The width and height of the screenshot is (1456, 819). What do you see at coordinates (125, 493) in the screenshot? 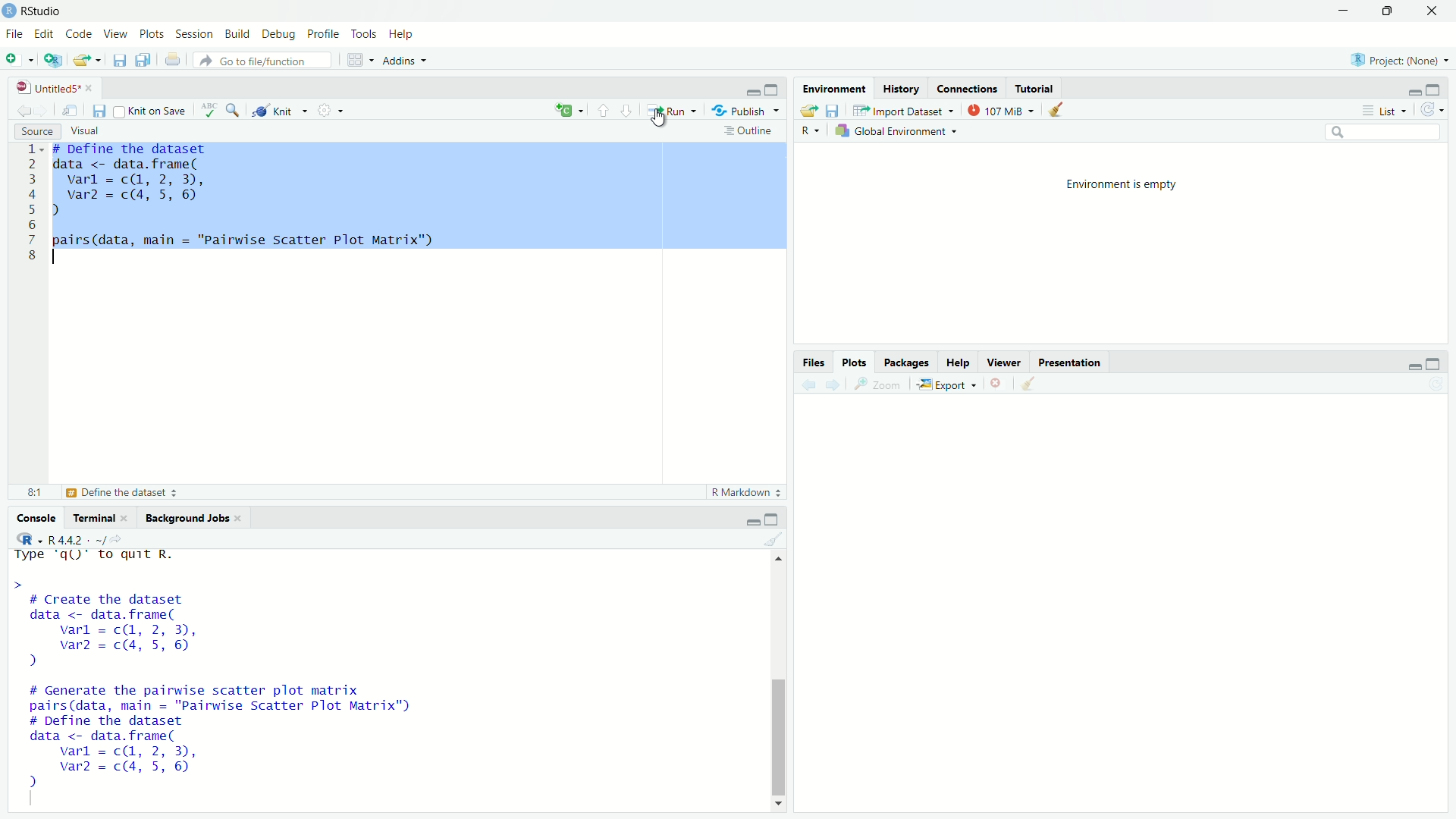
I see `# Define the dataset` at bounding box center [125, 493].